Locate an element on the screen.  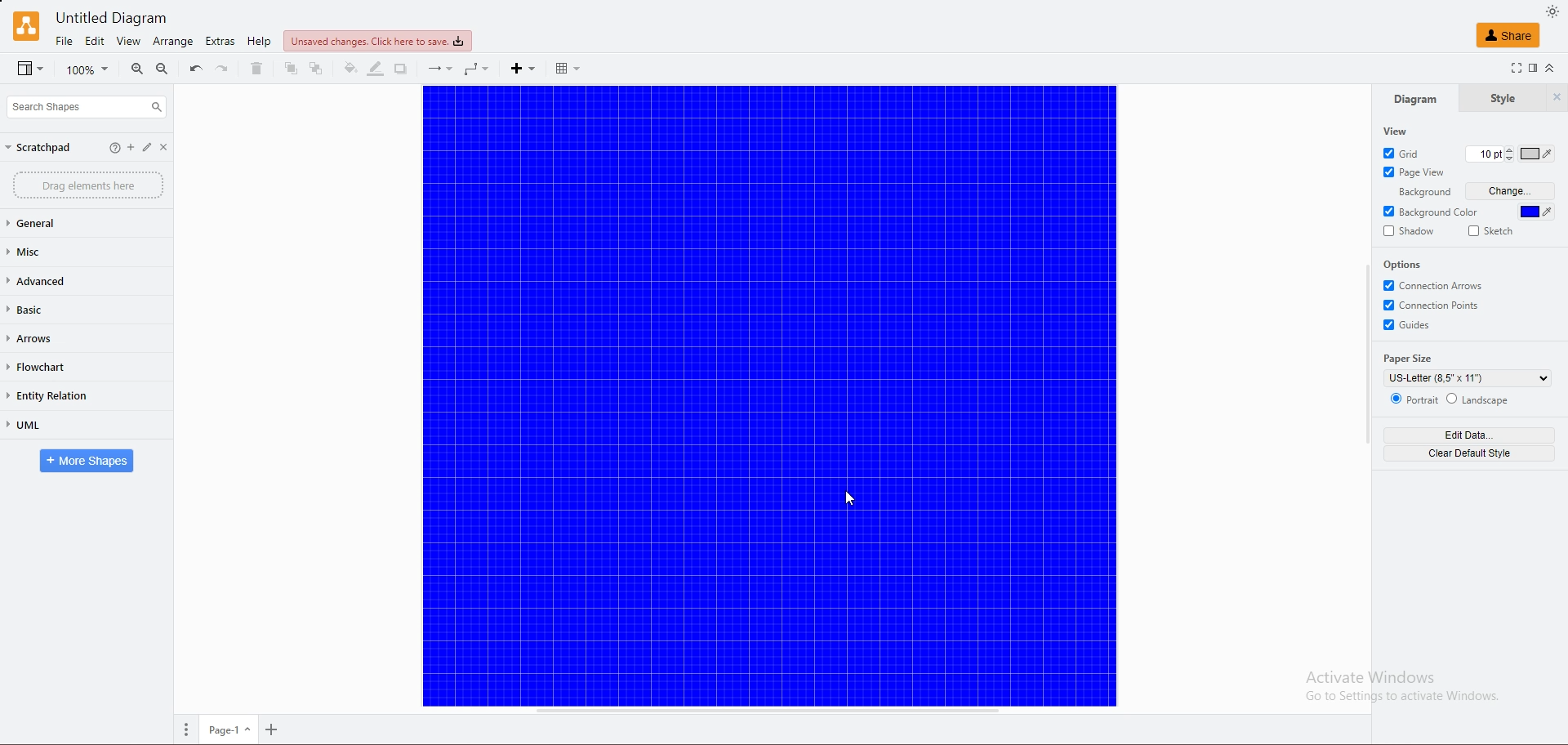
fill color is located at coordinates (349, 69).